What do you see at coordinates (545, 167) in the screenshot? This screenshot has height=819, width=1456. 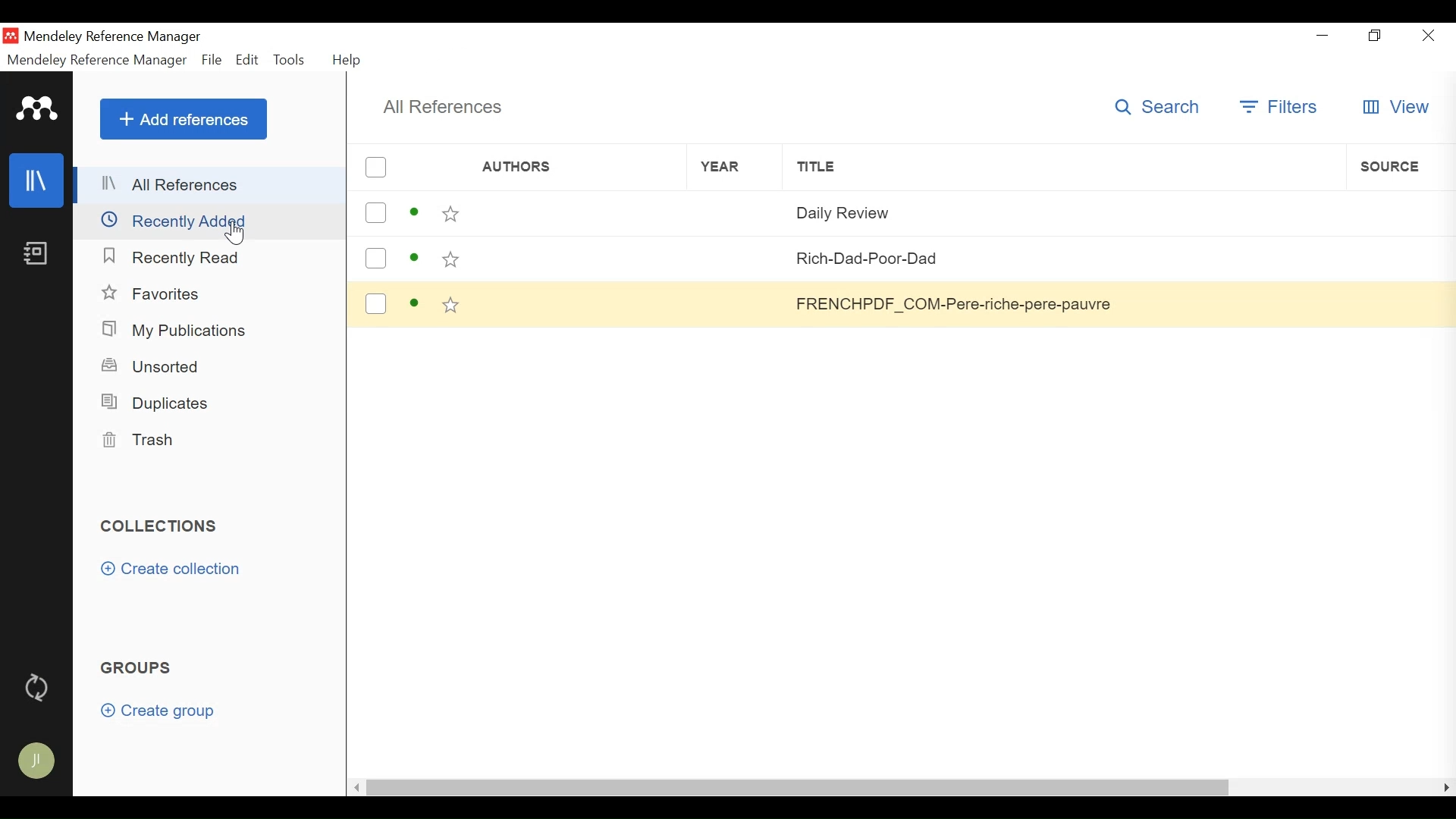 I see `Author` at bounding box center [545, 167].